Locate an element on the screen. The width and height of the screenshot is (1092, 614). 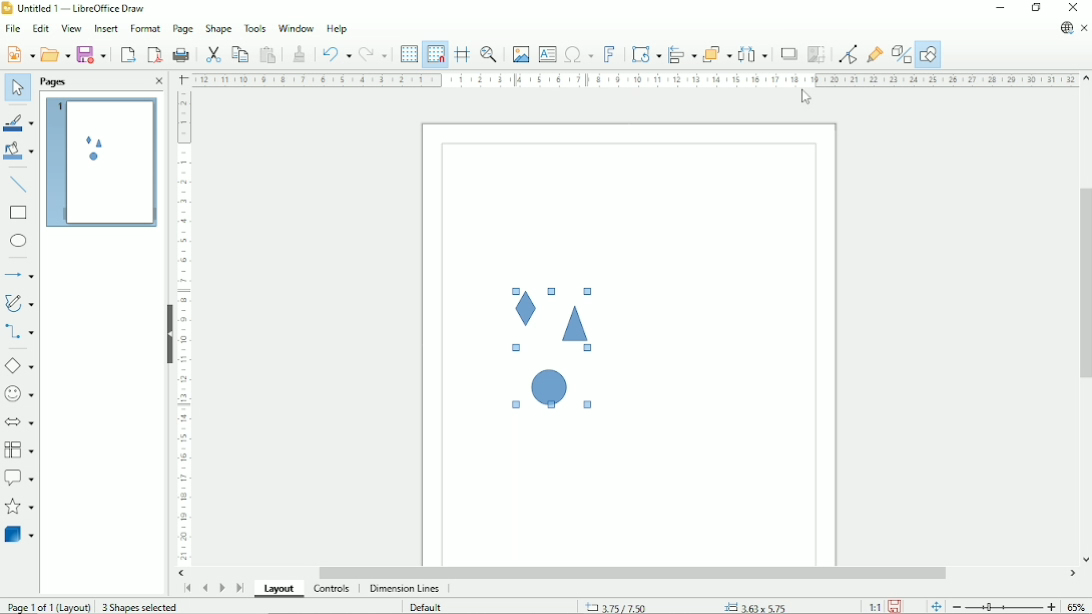
Save is located at coordinates (94, 53).